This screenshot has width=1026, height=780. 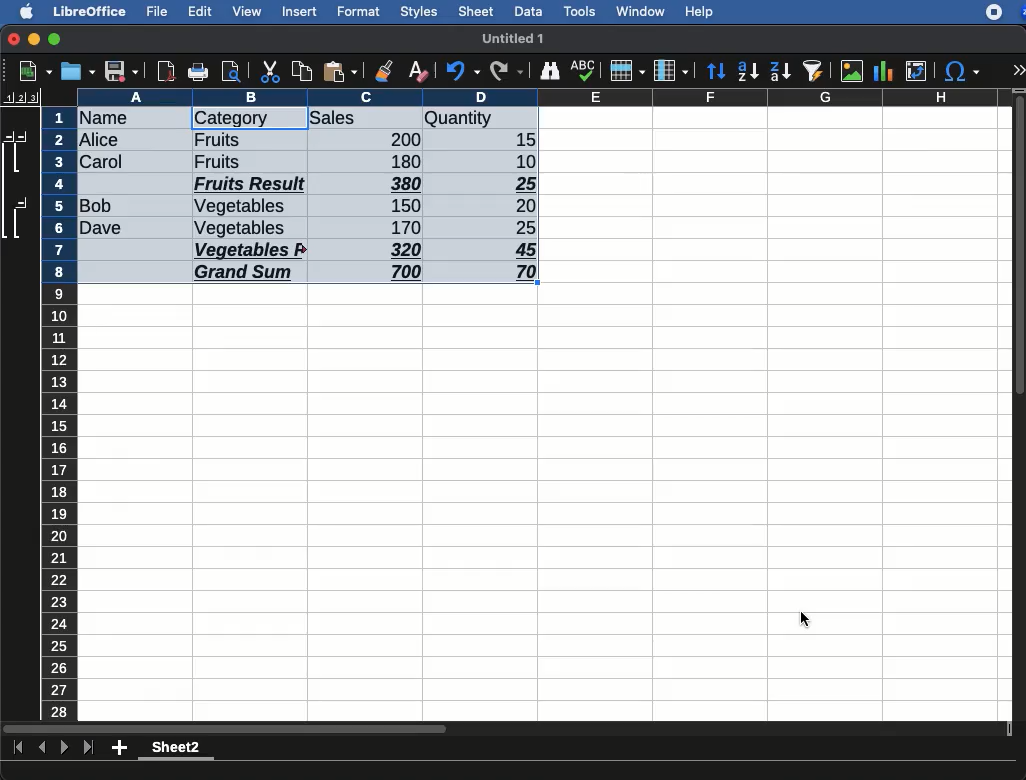 I want to click on first sheet, so click(x=20, y=748).